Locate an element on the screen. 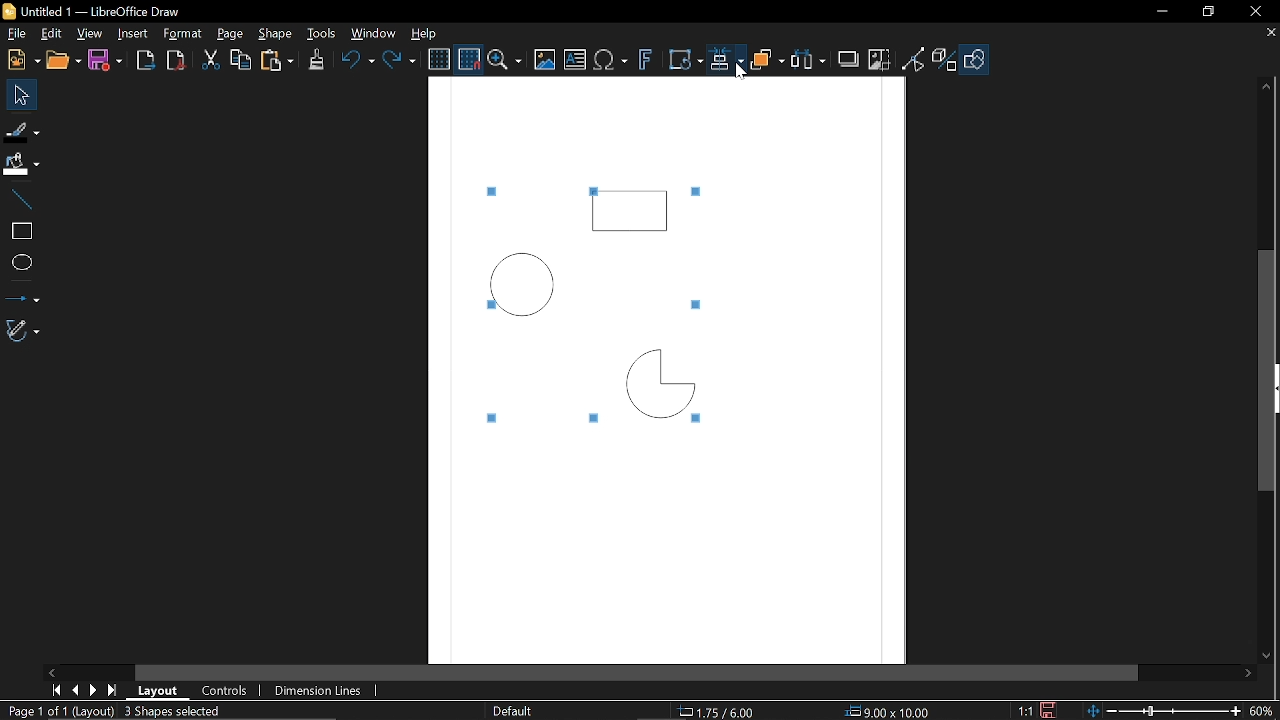  Toggle extrusion is located at coordinates (942, 61).